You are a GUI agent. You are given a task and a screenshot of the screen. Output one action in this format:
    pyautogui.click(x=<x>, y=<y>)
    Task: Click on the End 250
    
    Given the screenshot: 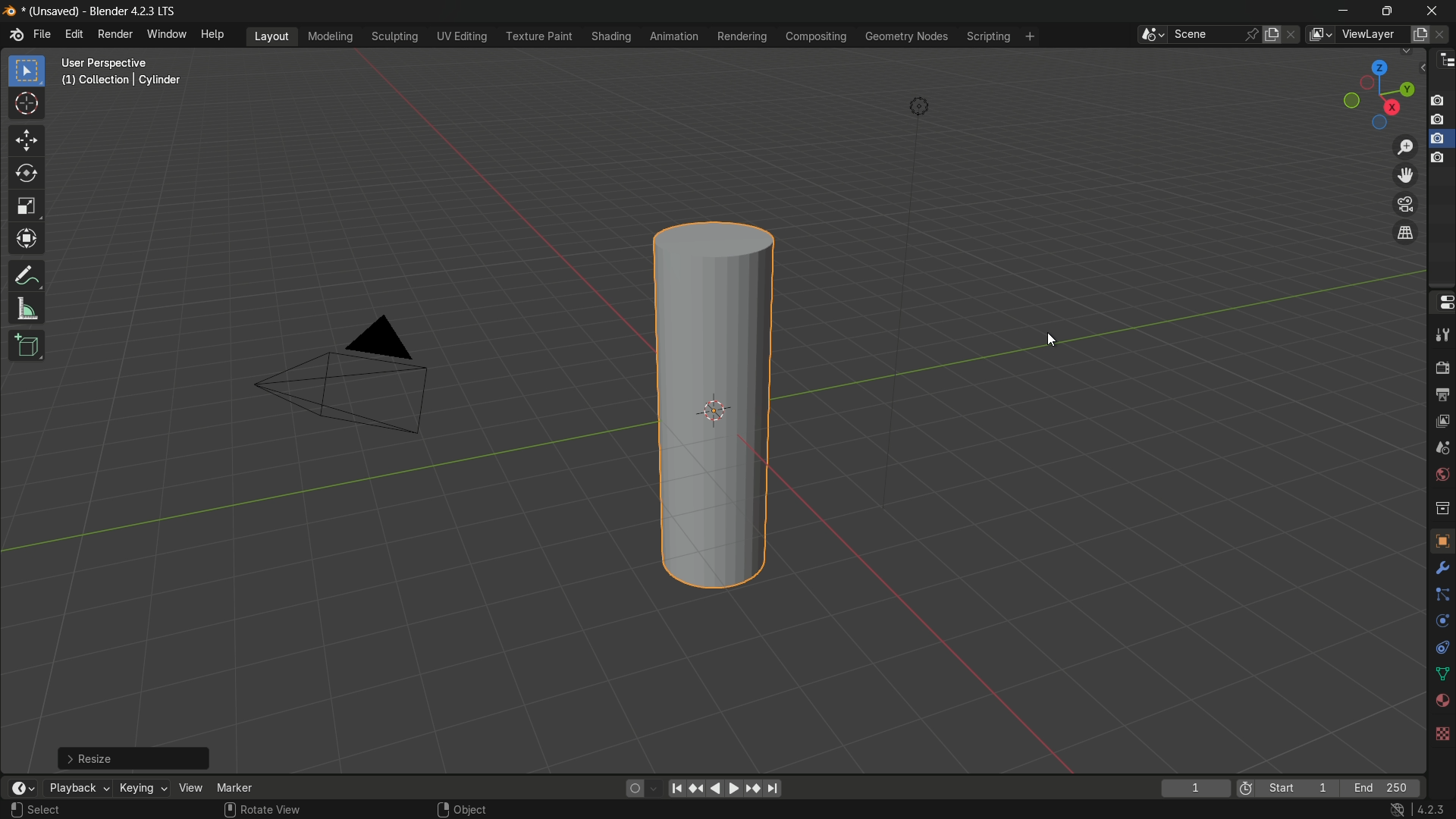 What is the action you would take?
    pyautogui.click(x=1384, y=788)
    